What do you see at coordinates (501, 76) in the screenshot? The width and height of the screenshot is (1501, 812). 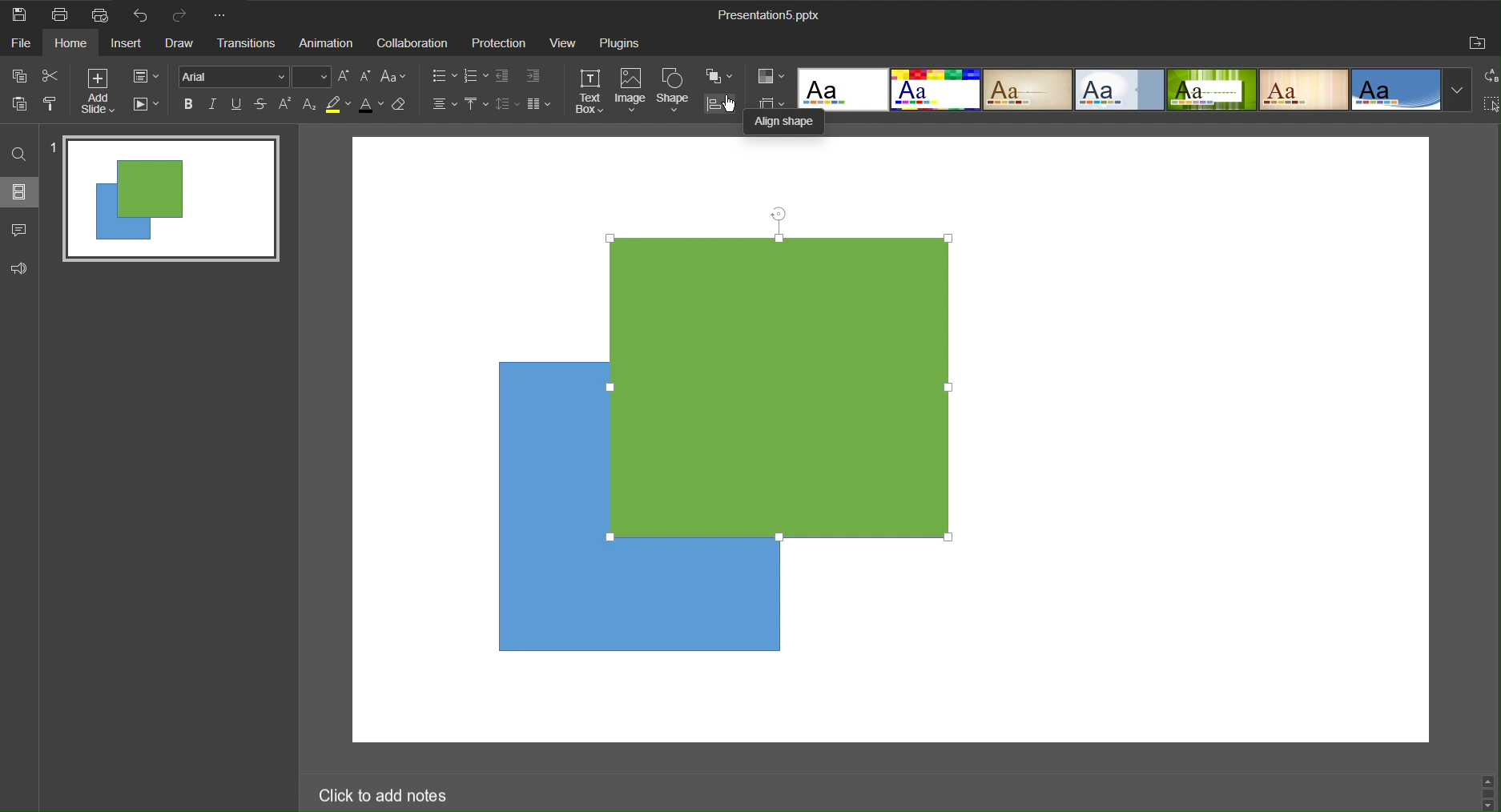 I see `decrease Indent` at bounding box center [501, 76].